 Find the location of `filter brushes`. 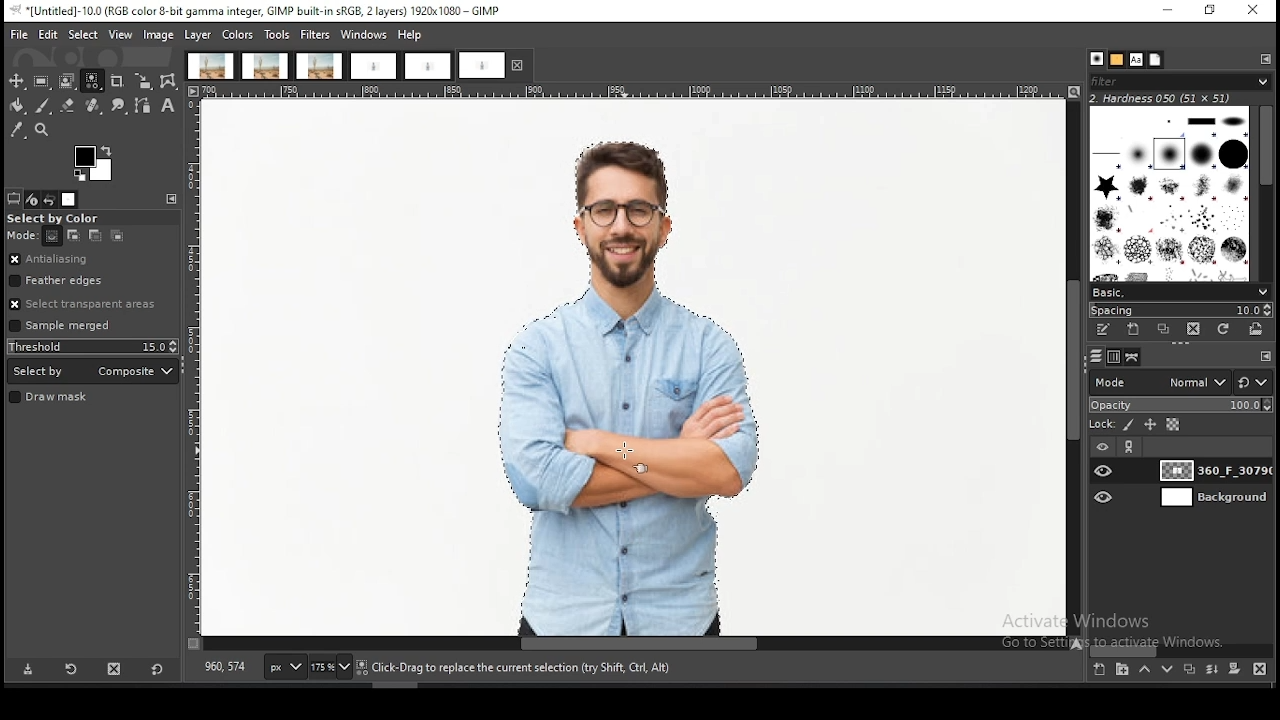

filter brushes is located at coordinates (1180, 82).